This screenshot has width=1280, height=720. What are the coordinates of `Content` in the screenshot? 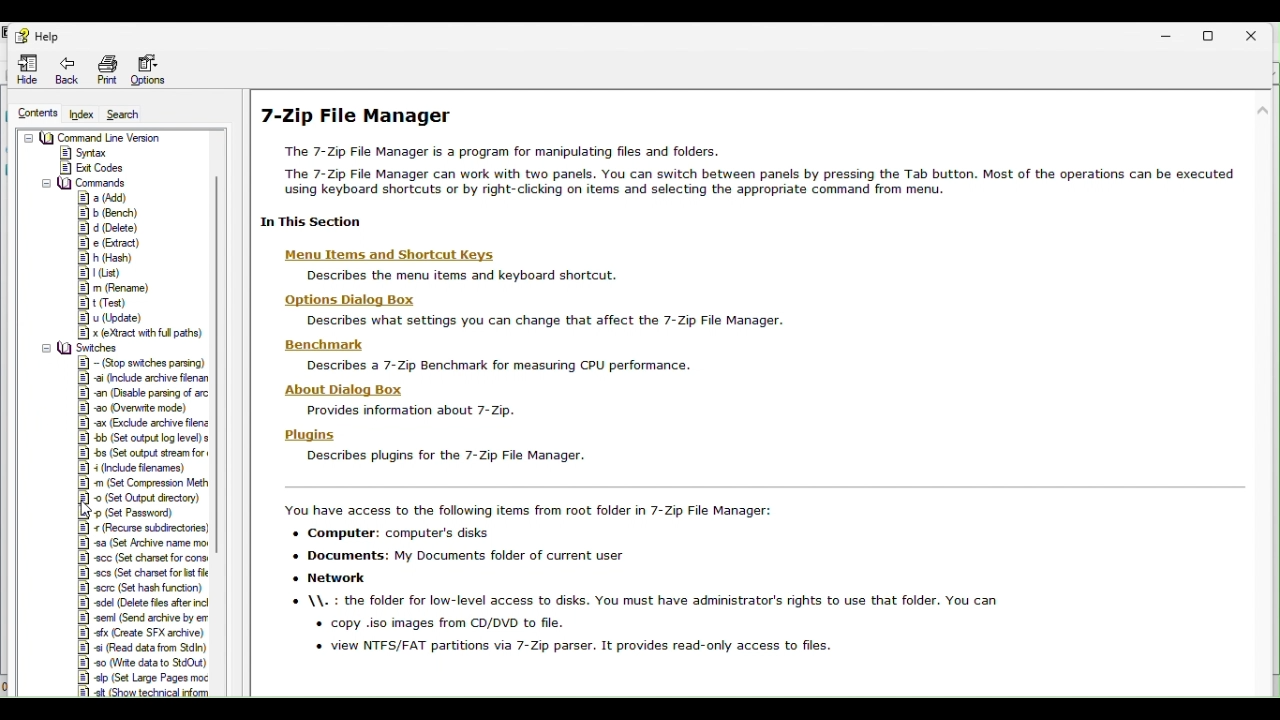 It's located at (42, 113).